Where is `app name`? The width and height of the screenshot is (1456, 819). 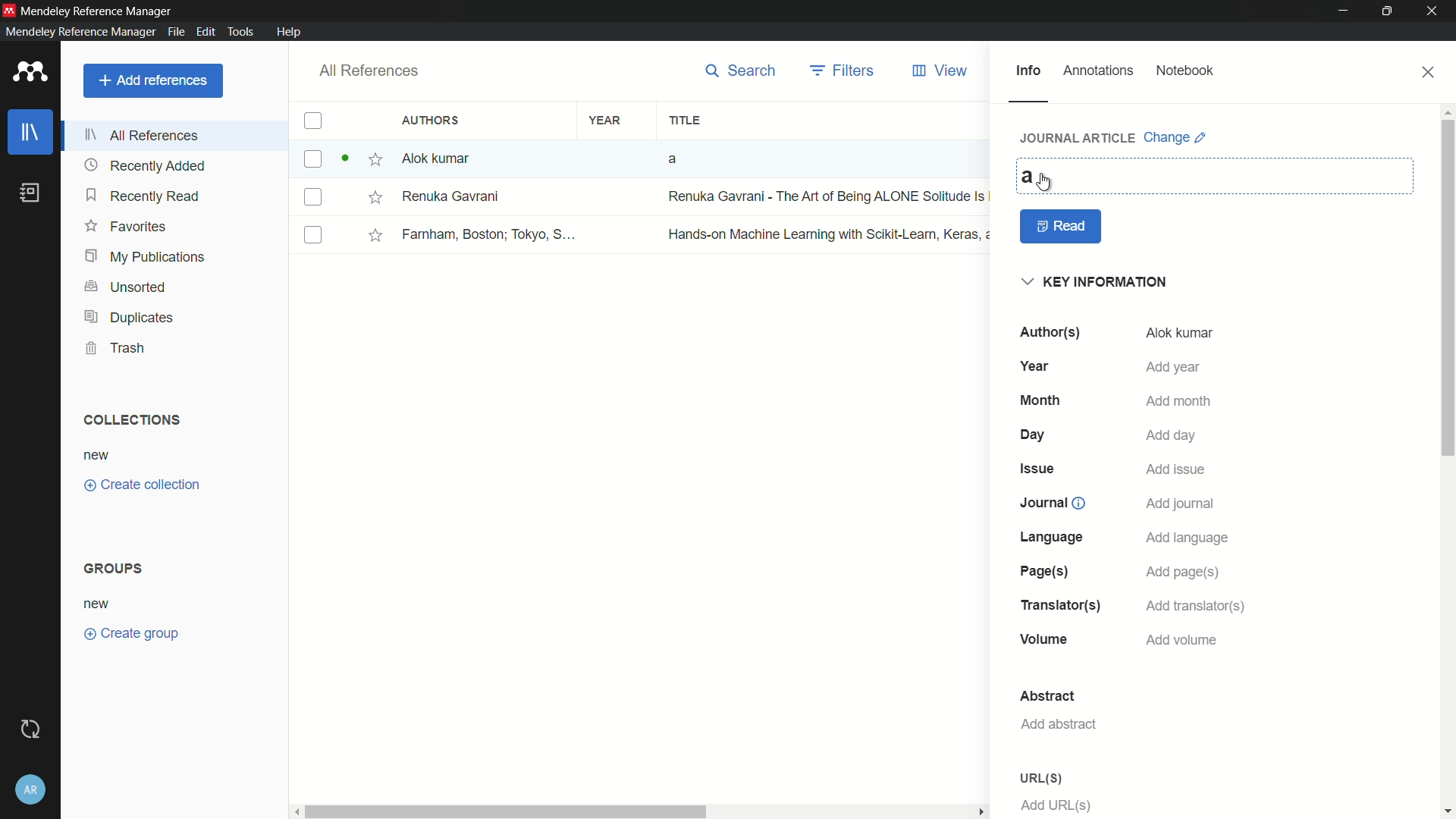
app name is located at coordinates (98, 11).